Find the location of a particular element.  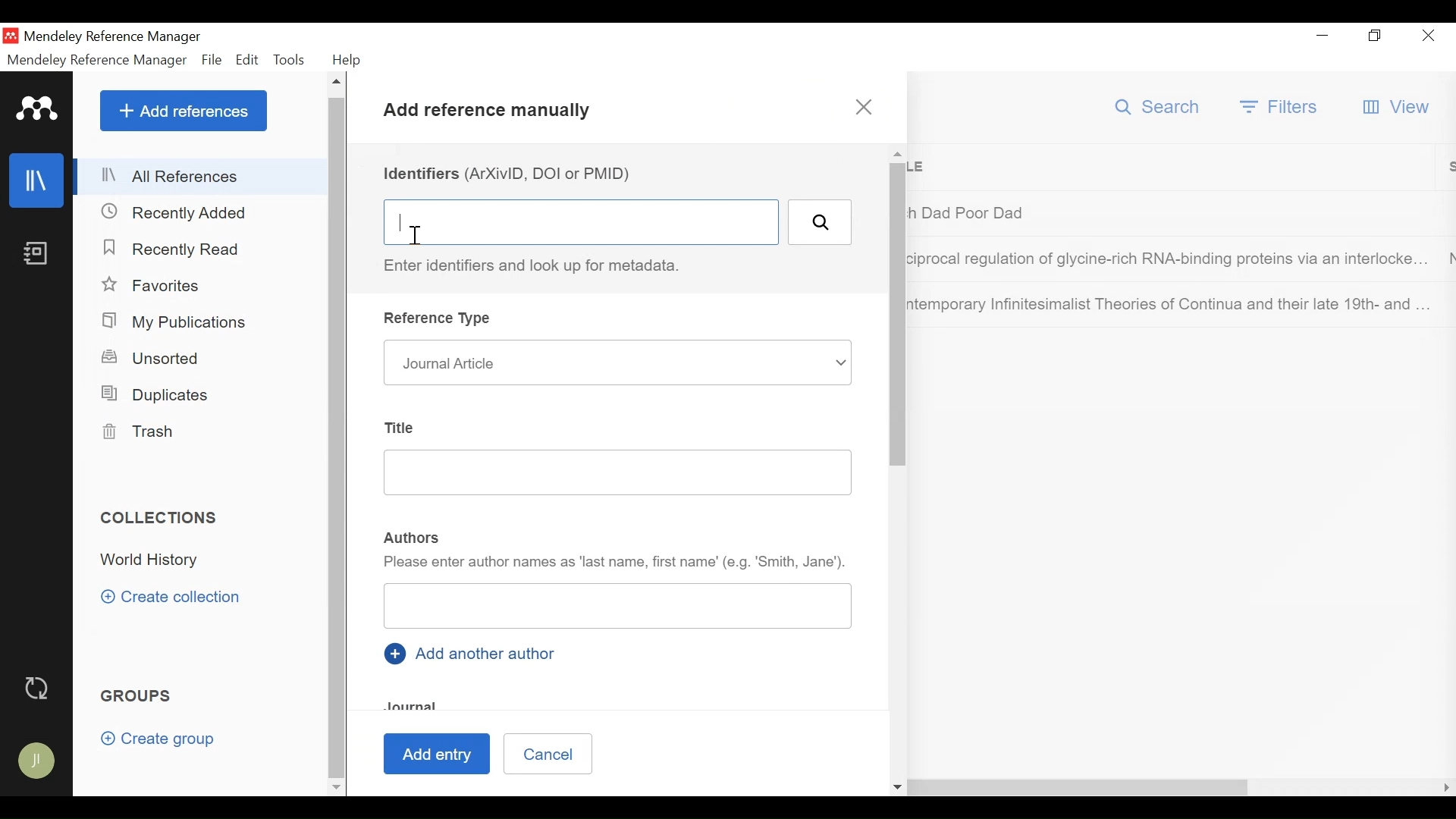

Contemporary Infinitesimalist Theories of Continua and their late 19th and ... is located at coordinates (1171, 304).